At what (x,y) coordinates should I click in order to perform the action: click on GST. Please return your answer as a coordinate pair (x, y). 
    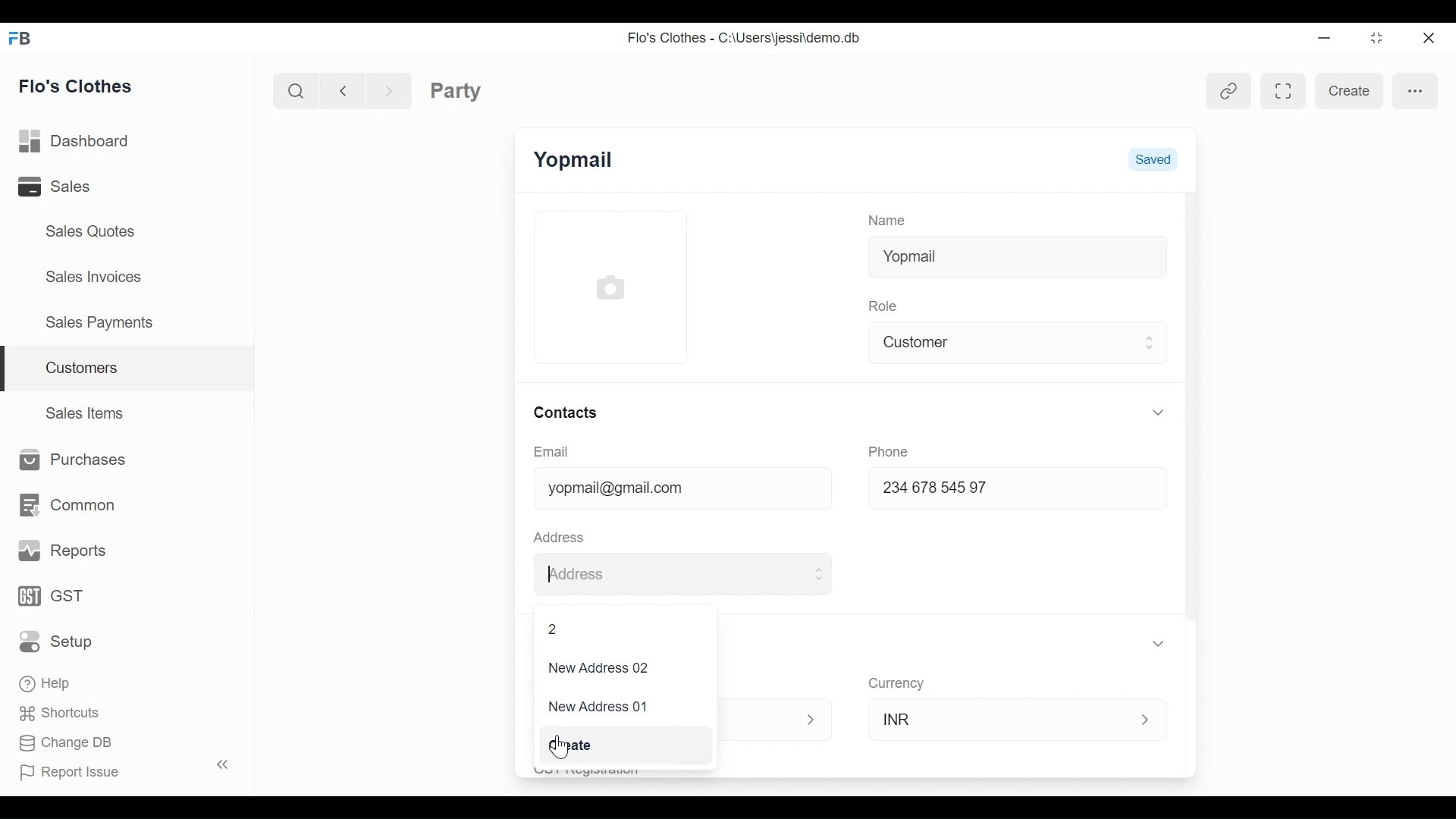
    Looking at the image, I should click on (53, 598).